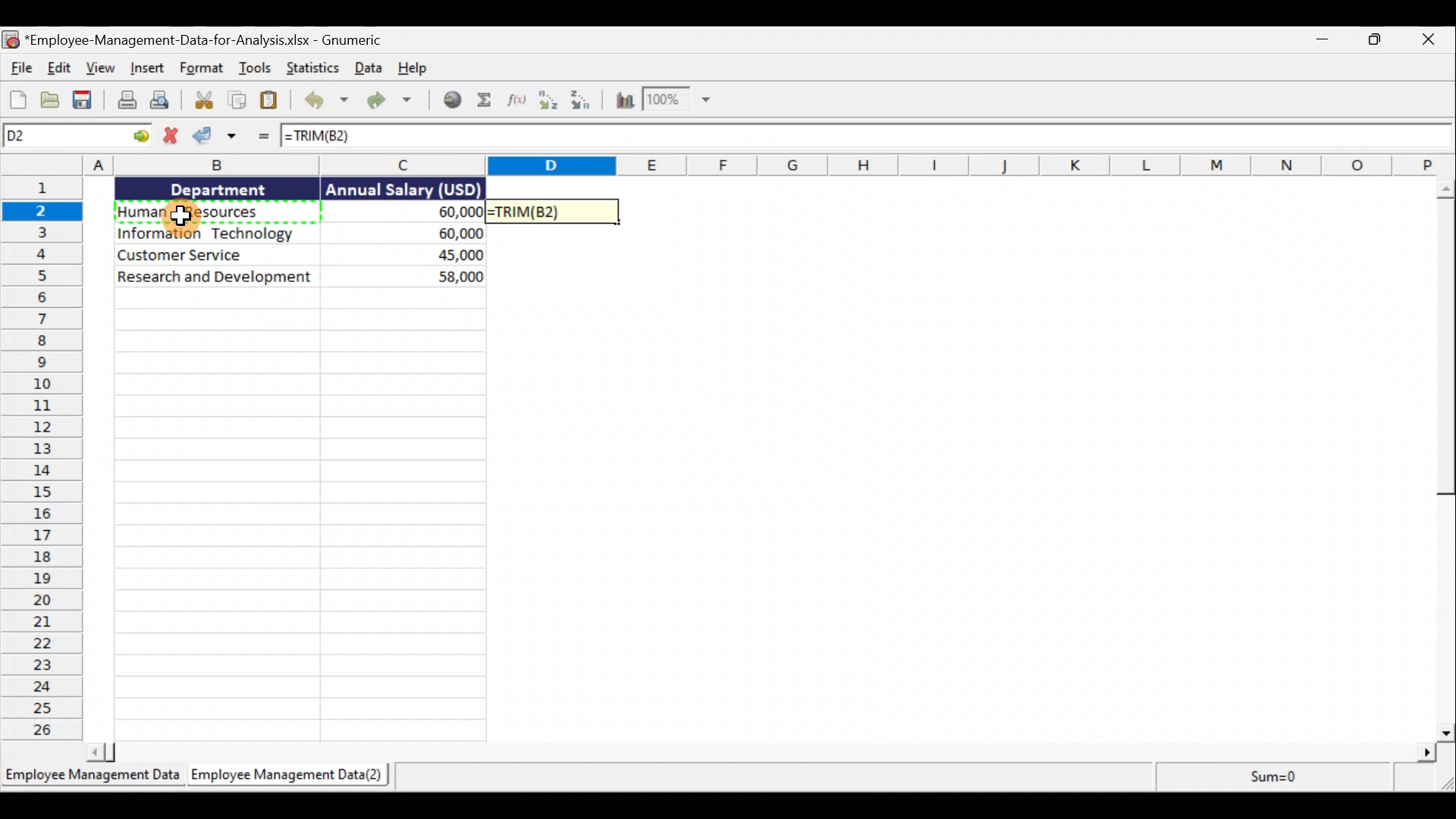 The image size is (1456, 819). What do you see at coordinates (201, 68) in the screenshot?
I see `Format` at bounding box center [201, 68].